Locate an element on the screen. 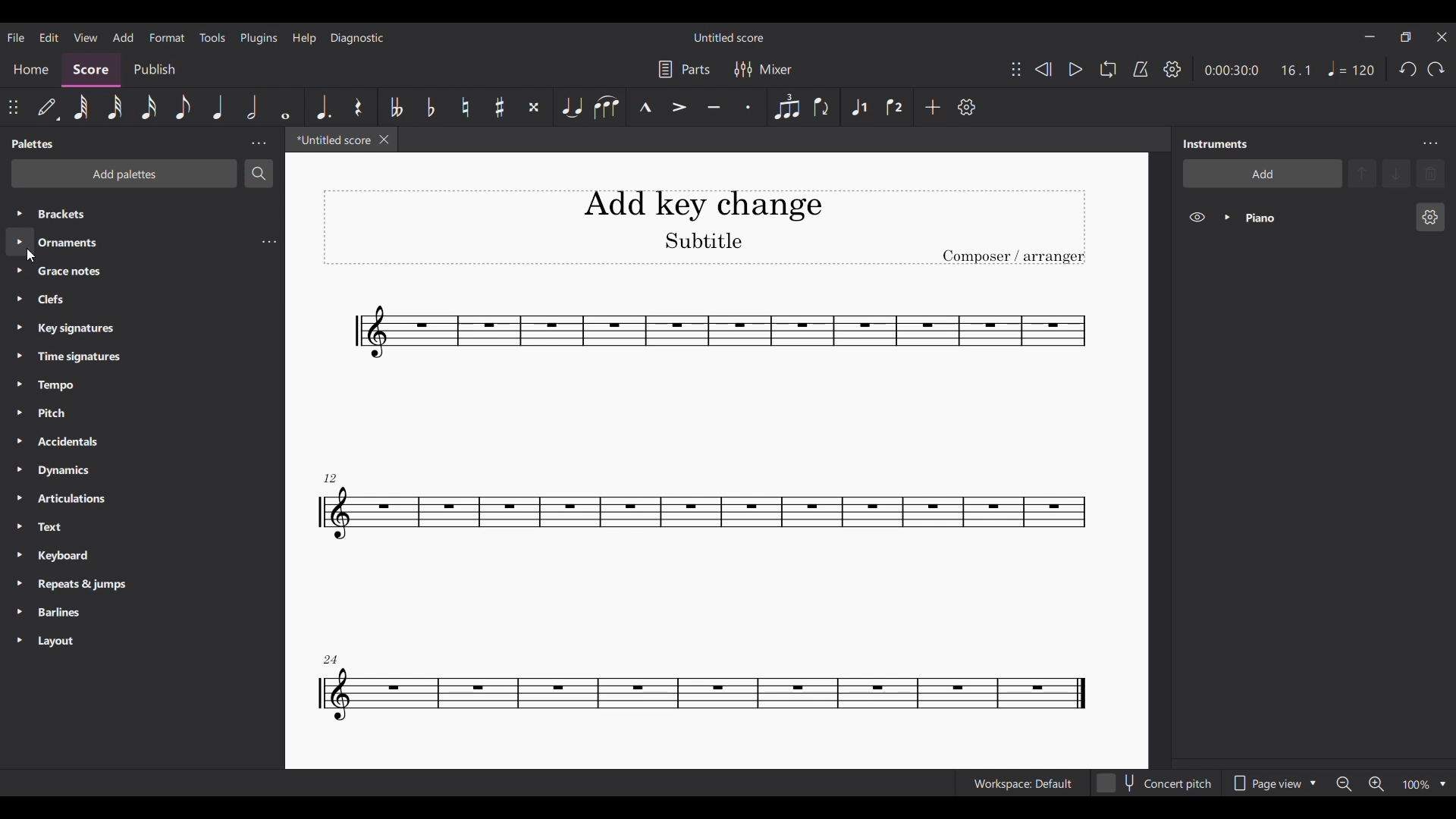 The width and height of the screenshot is (1456, 819). Expand palettes is located at coordinates (18, 427).